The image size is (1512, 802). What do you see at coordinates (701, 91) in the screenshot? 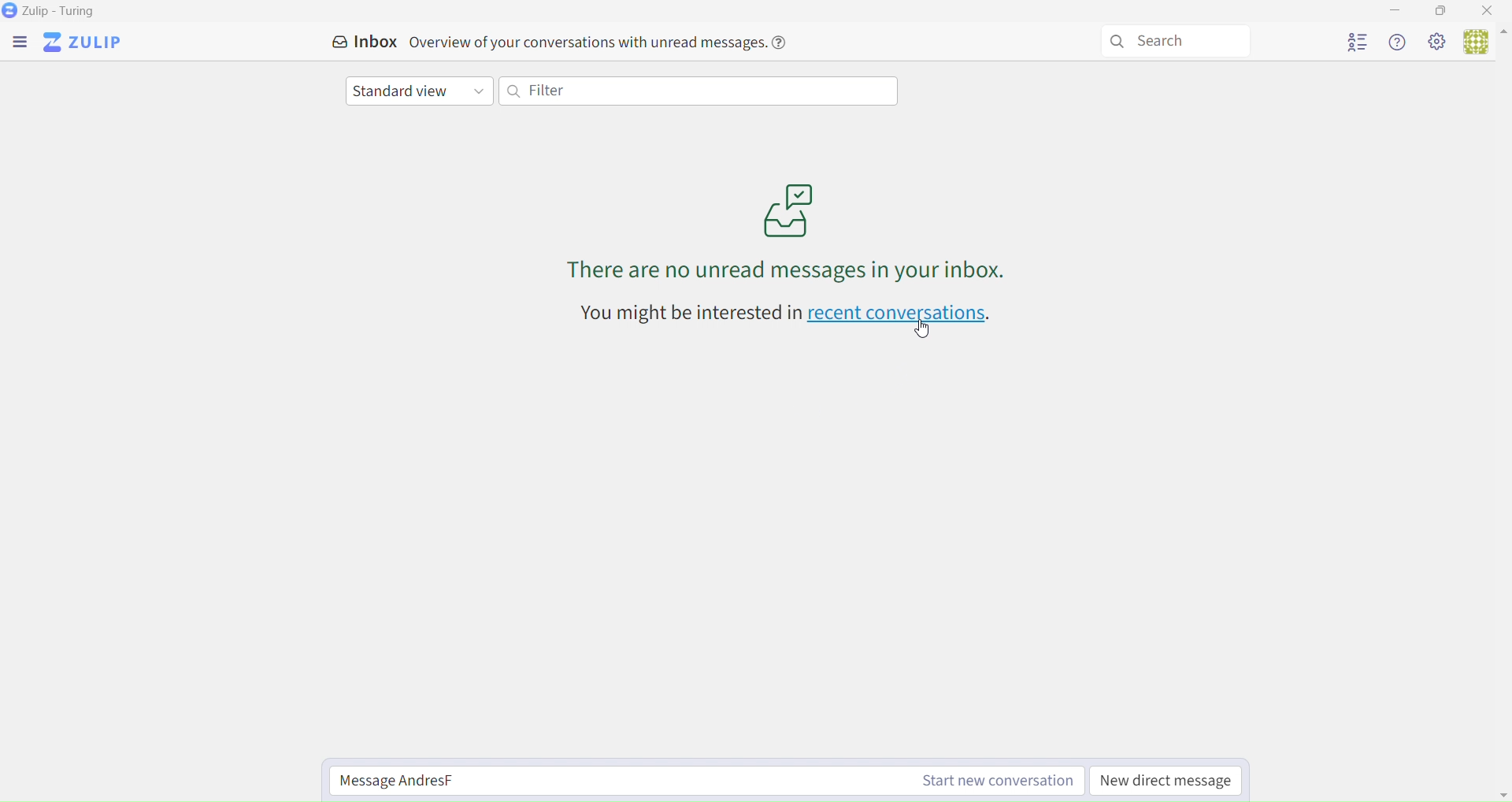
I see `Filter` at bounding box center [701, 91].